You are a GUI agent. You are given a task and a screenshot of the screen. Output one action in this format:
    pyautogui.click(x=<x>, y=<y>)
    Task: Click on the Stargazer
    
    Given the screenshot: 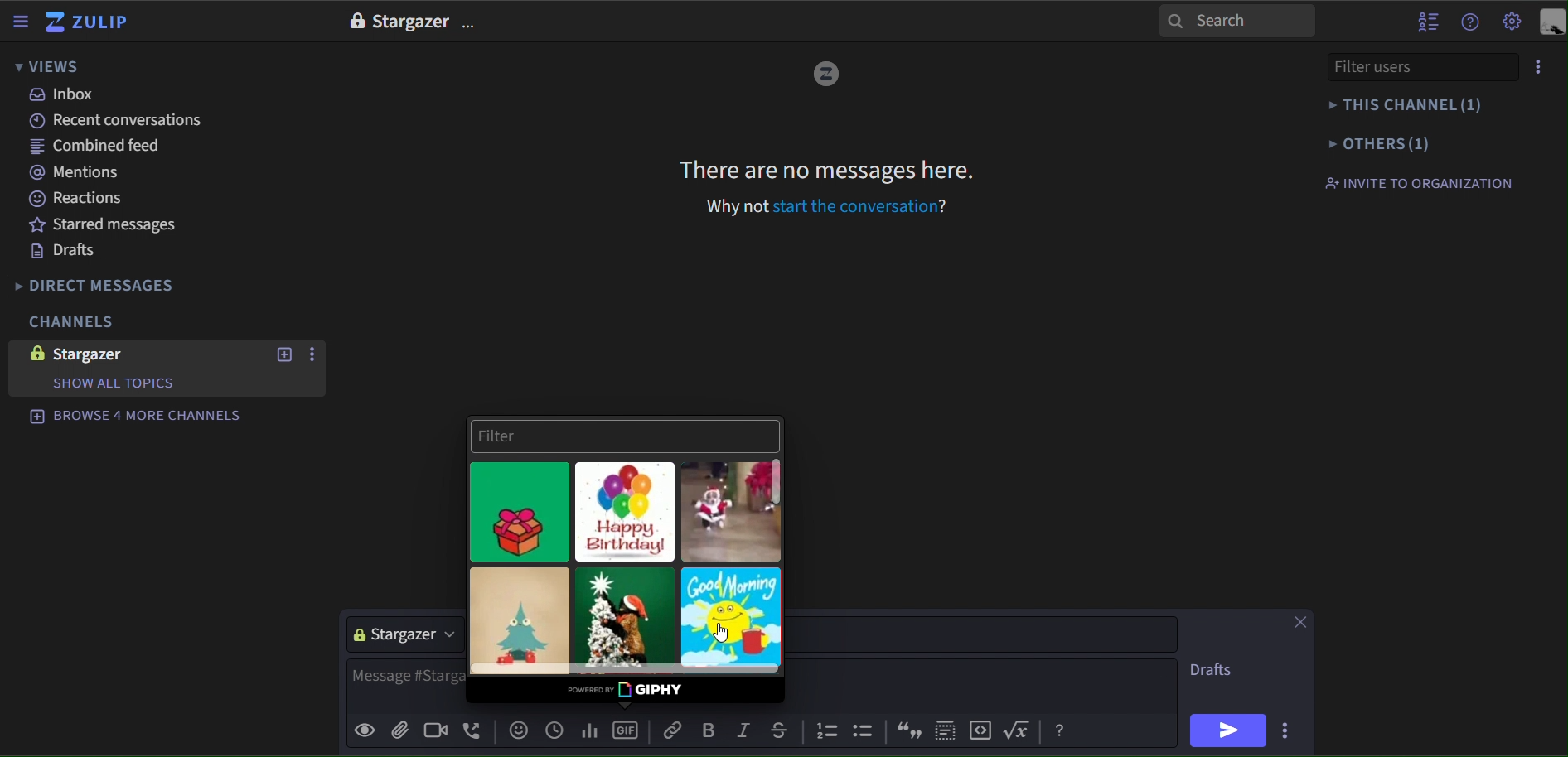 What is the action you would take?
    pyautogui.click(x=410, y=22)
    